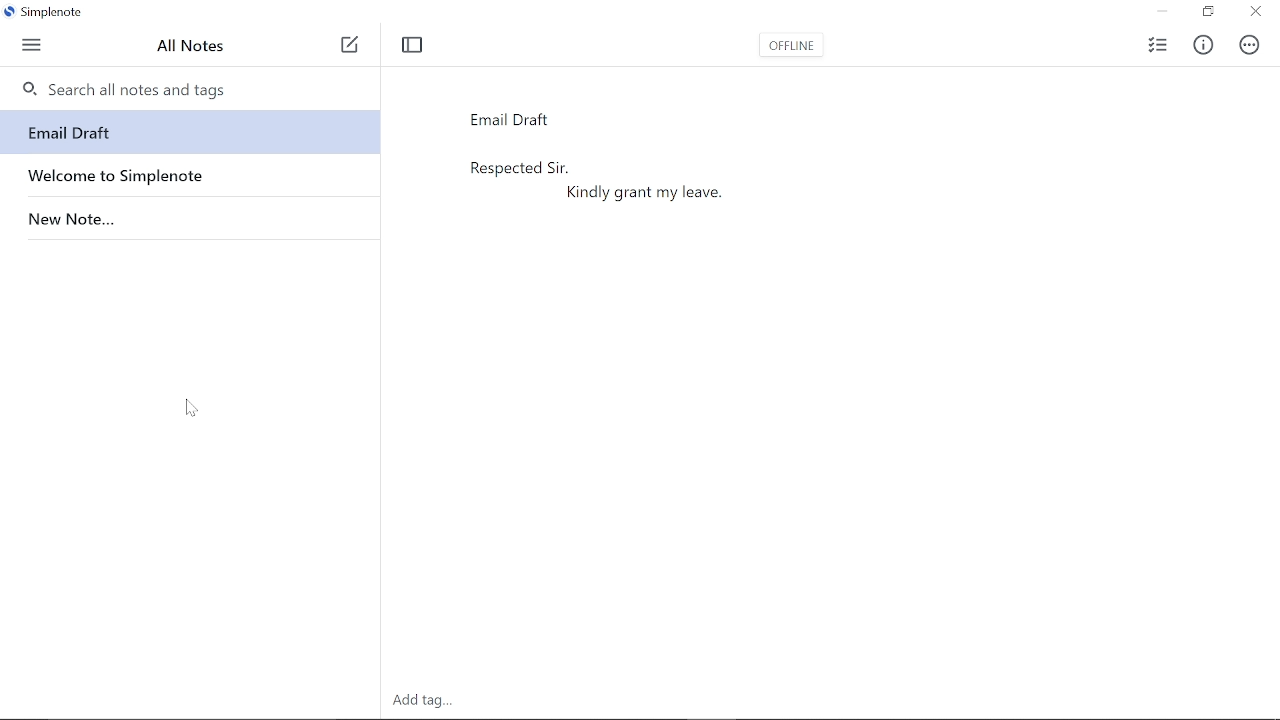  What do you see at coordinates (31, 46) in the screenshot?
I see `Menu` at bounding box center [31, 46].